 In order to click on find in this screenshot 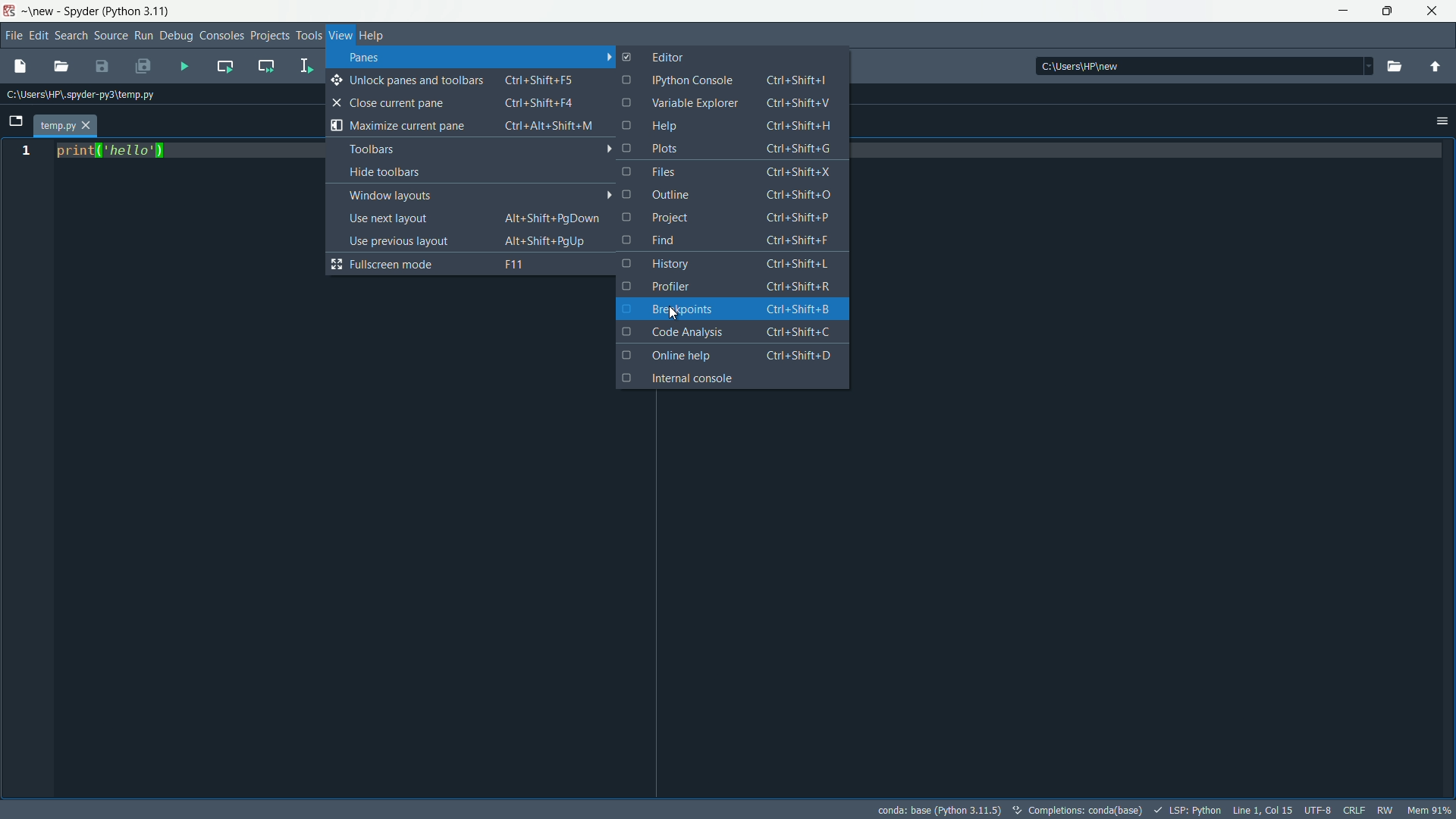, I will do `click(733, 242)`.